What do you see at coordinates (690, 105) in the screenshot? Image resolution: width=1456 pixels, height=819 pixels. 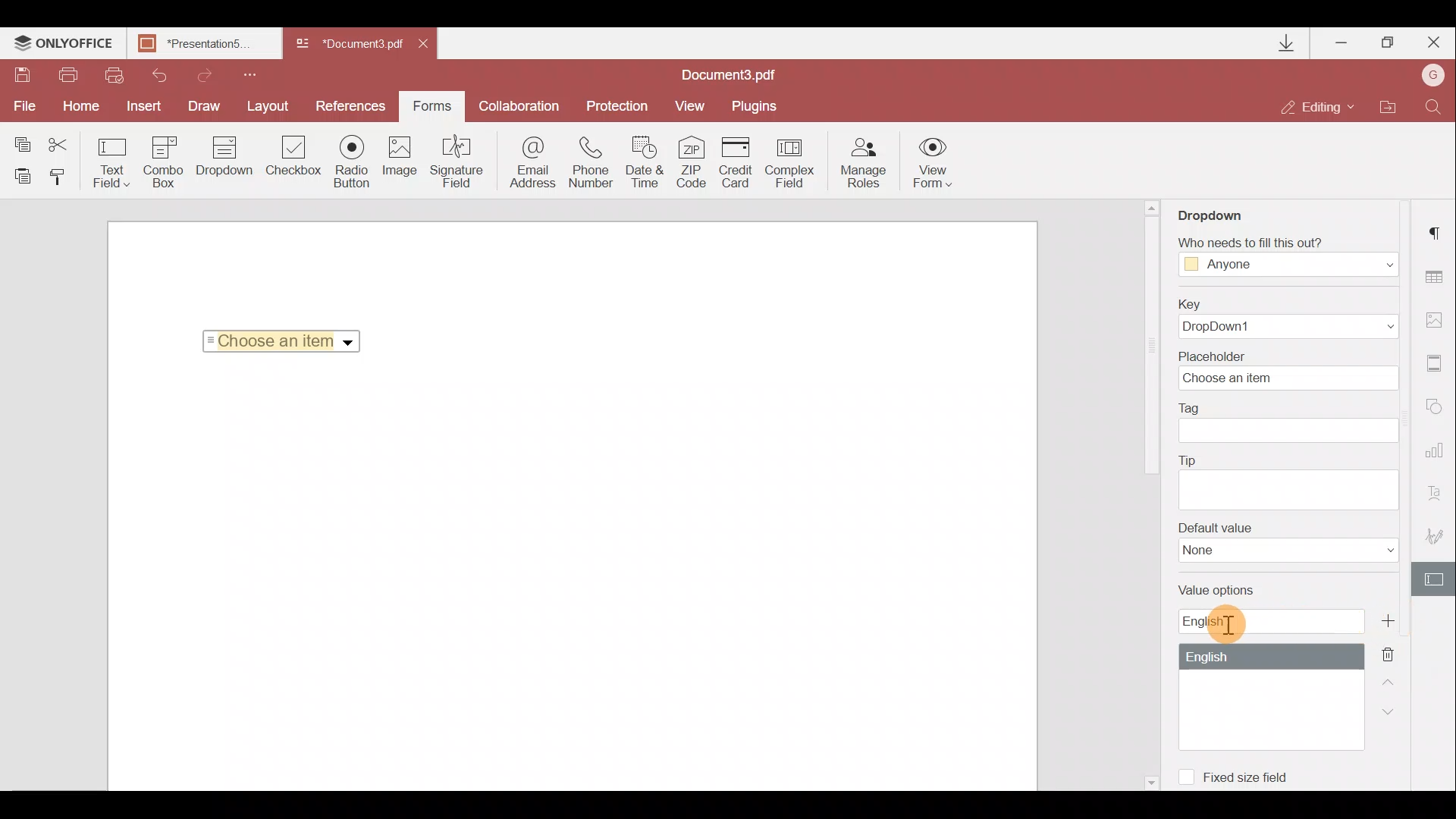 I see `View` at bounding box center [690, 105].